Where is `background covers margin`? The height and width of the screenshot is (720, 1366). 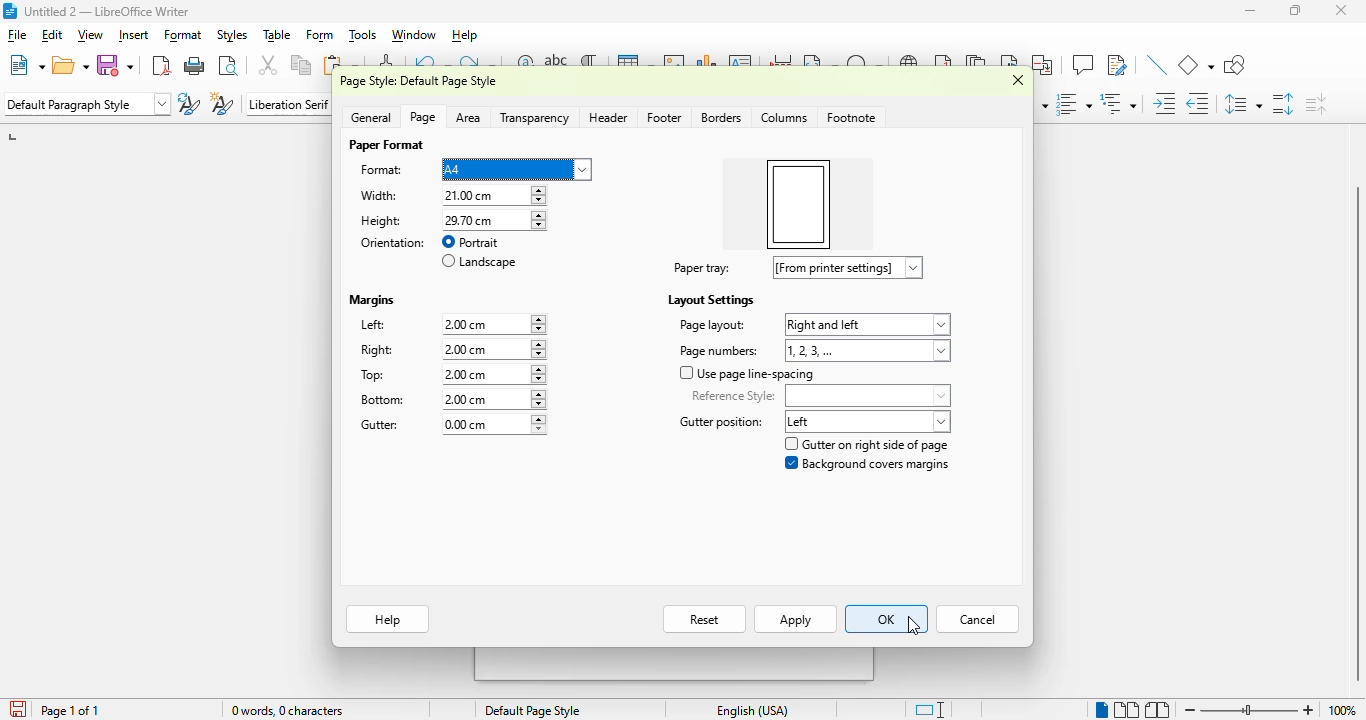
background covers margin is located at coordinates (866, 463).